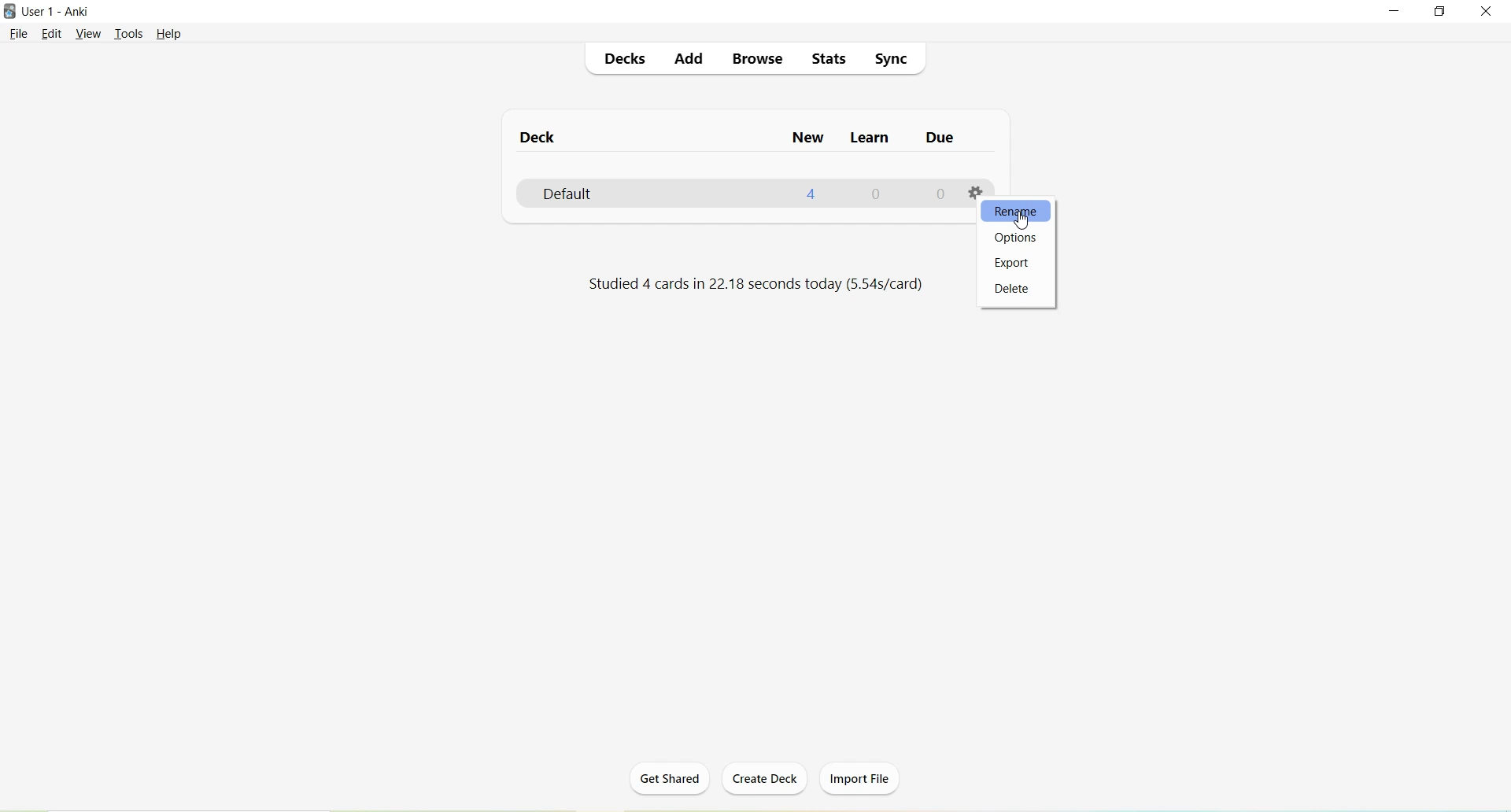 This screenshot has width=1511, height=812. I want to click on User 1 - Anki, so click(57, 11).